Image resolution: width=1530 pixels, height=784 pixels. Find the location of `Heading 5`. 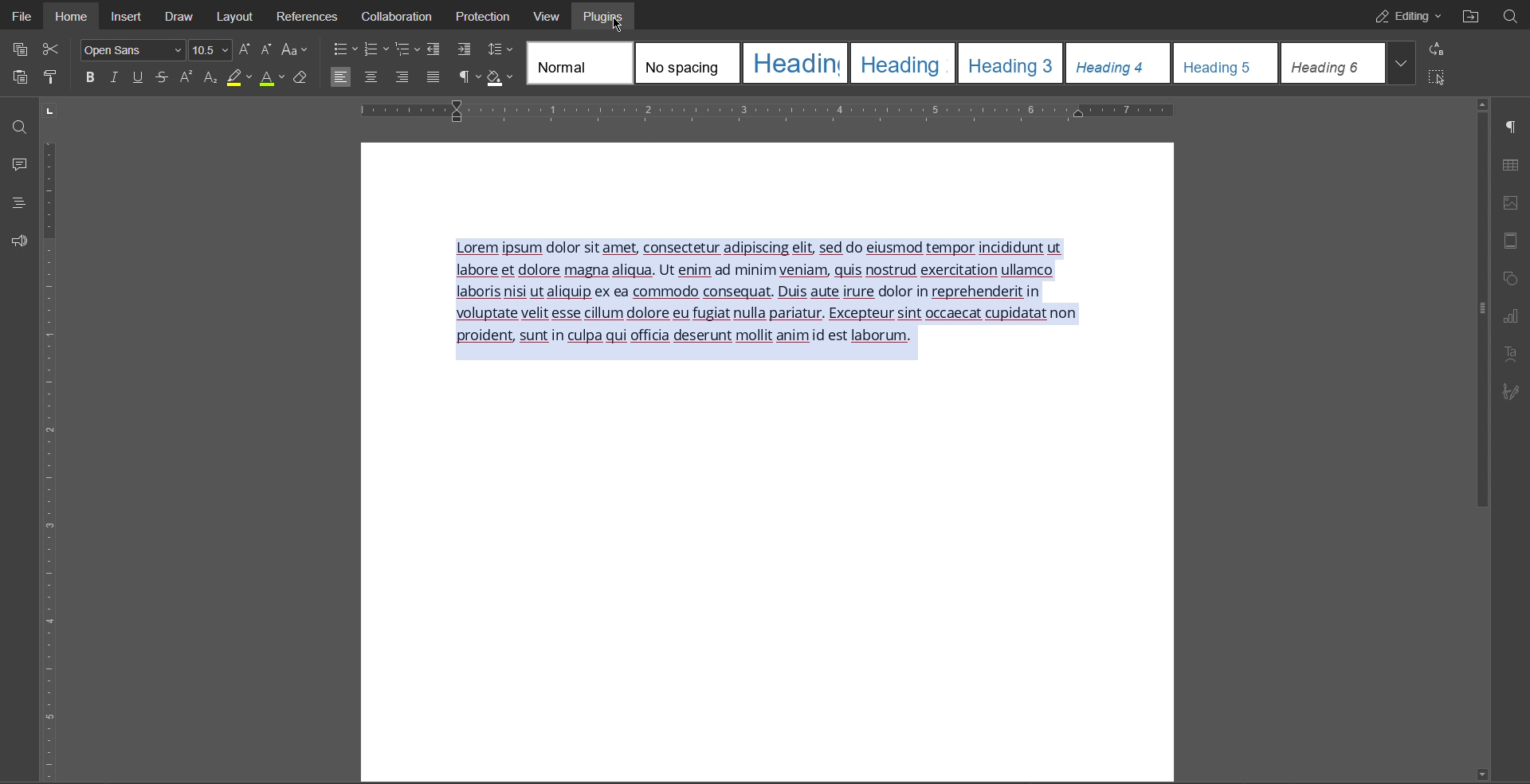

Heading 5 is located at coordinates (1223, 63).